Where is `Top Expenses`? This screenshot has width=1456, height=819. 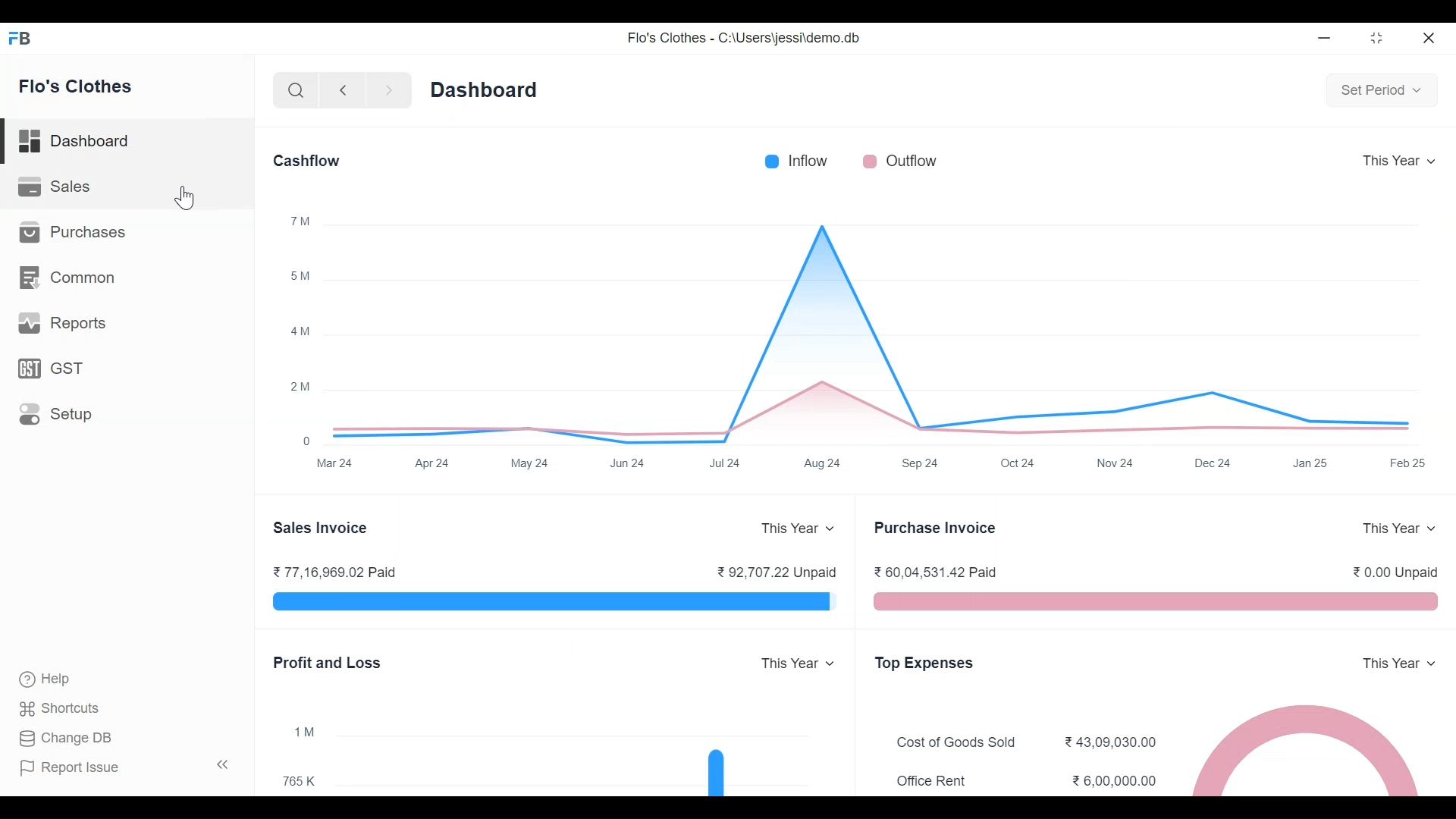 Top Expenses is located at coordinates (928, 664).